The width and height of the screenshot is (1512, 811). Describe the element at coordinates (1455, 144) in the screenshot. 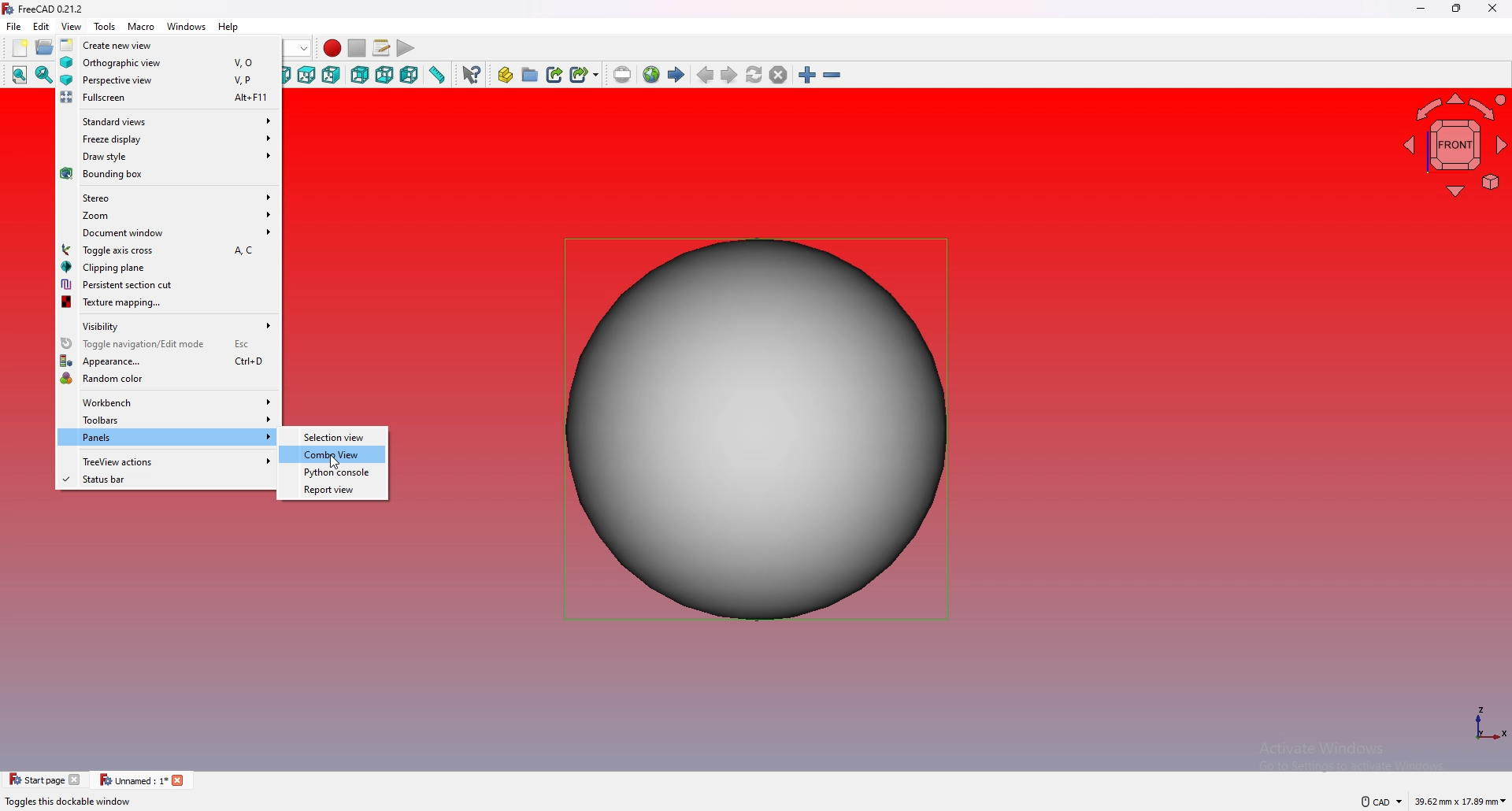

I see `navigating cube` at that location.